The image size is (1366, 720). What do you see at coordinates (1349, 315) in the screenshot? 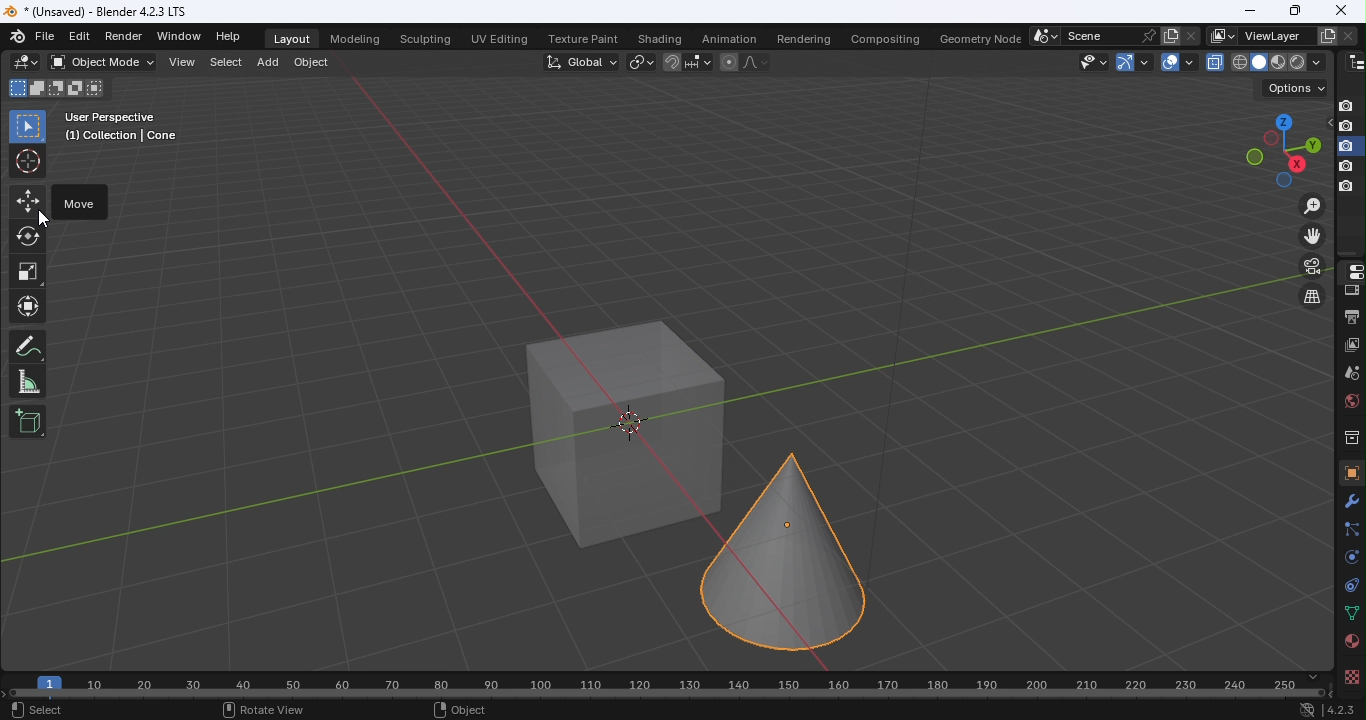
I see `Output` at bounding box center [1349, 315].